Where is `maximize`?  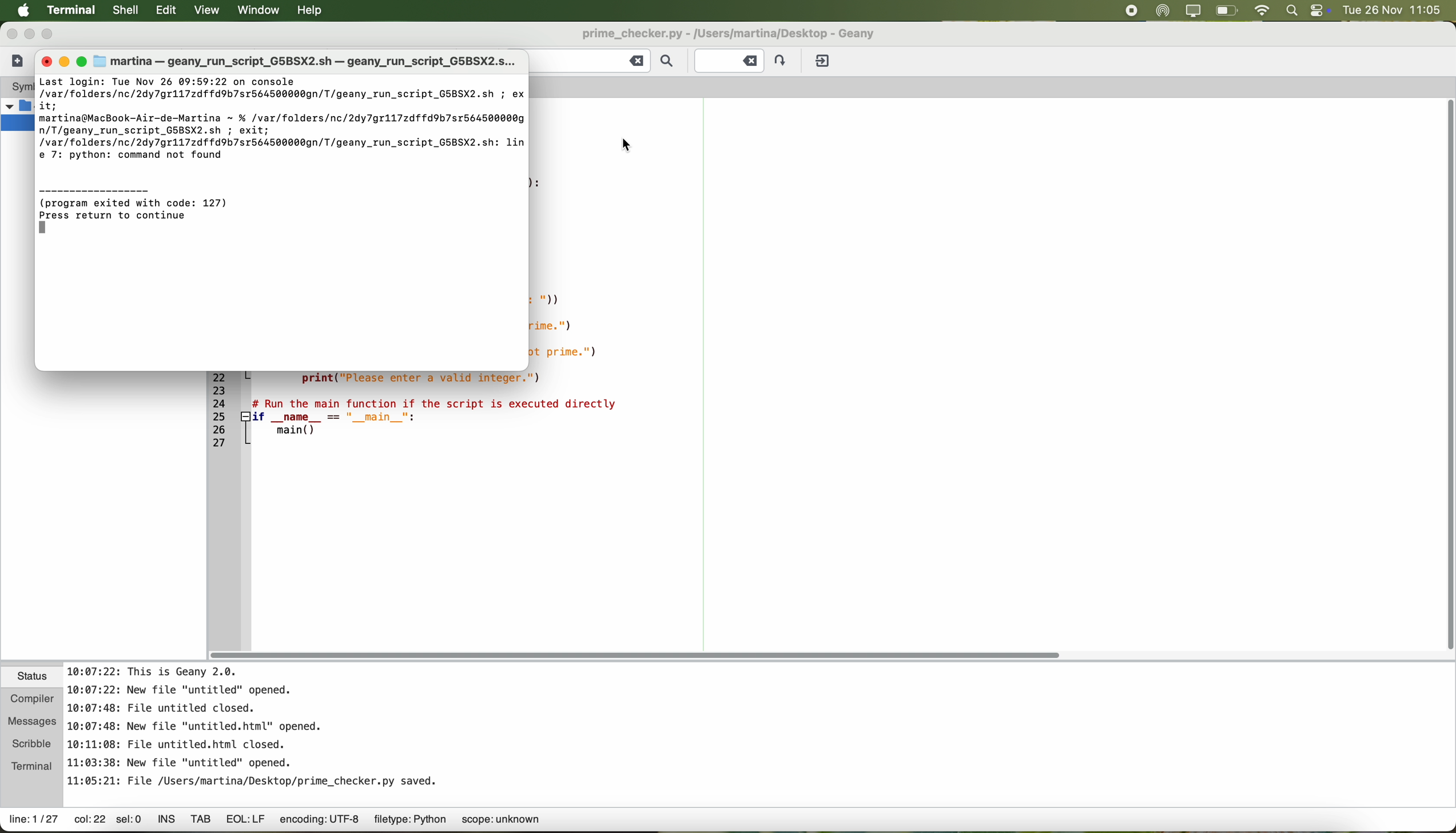
maximize is located at coordinates (49, 33).